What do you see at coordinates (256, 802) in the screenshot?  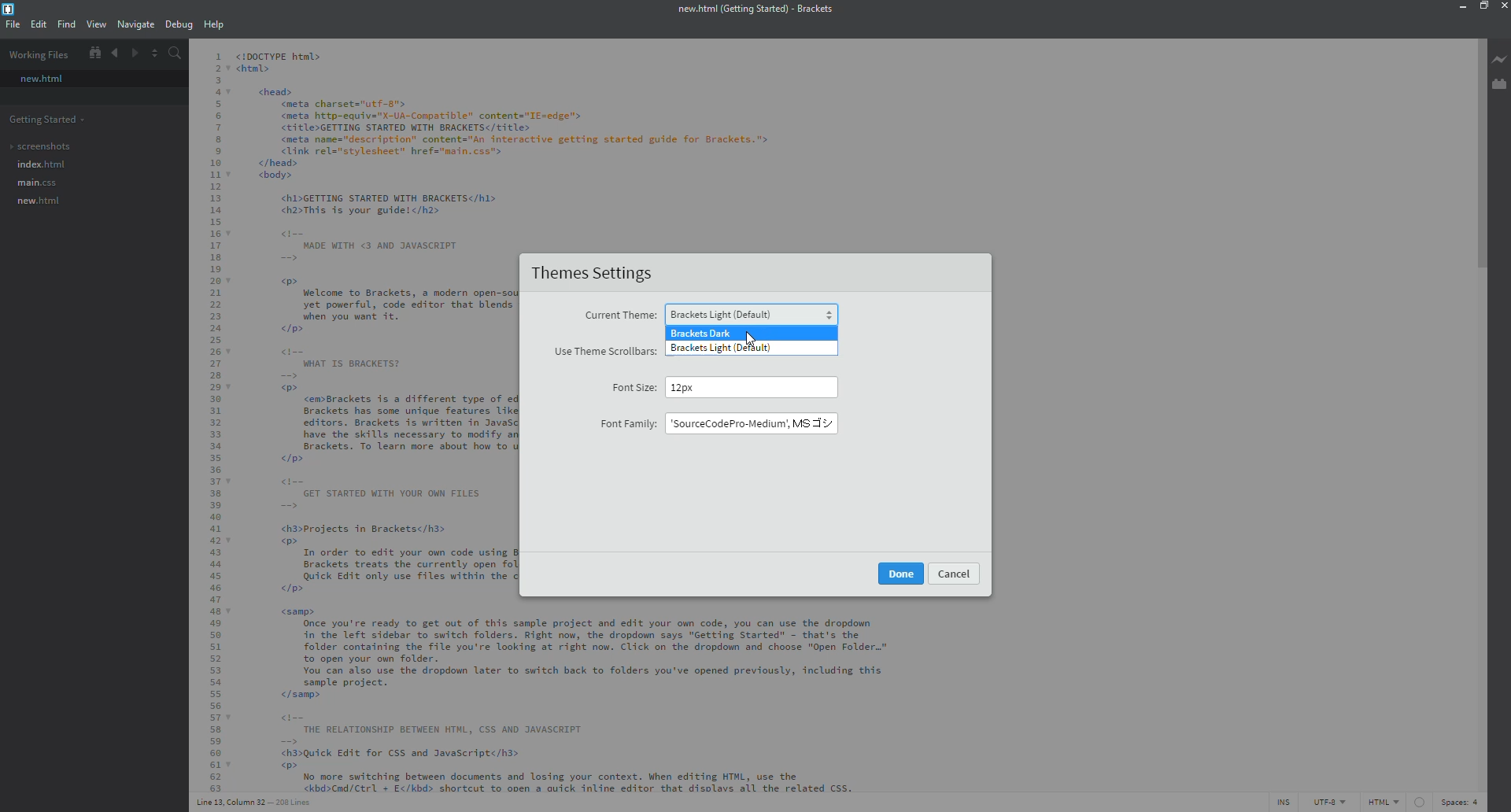 I see `line number` at bounding box center [256, 802].